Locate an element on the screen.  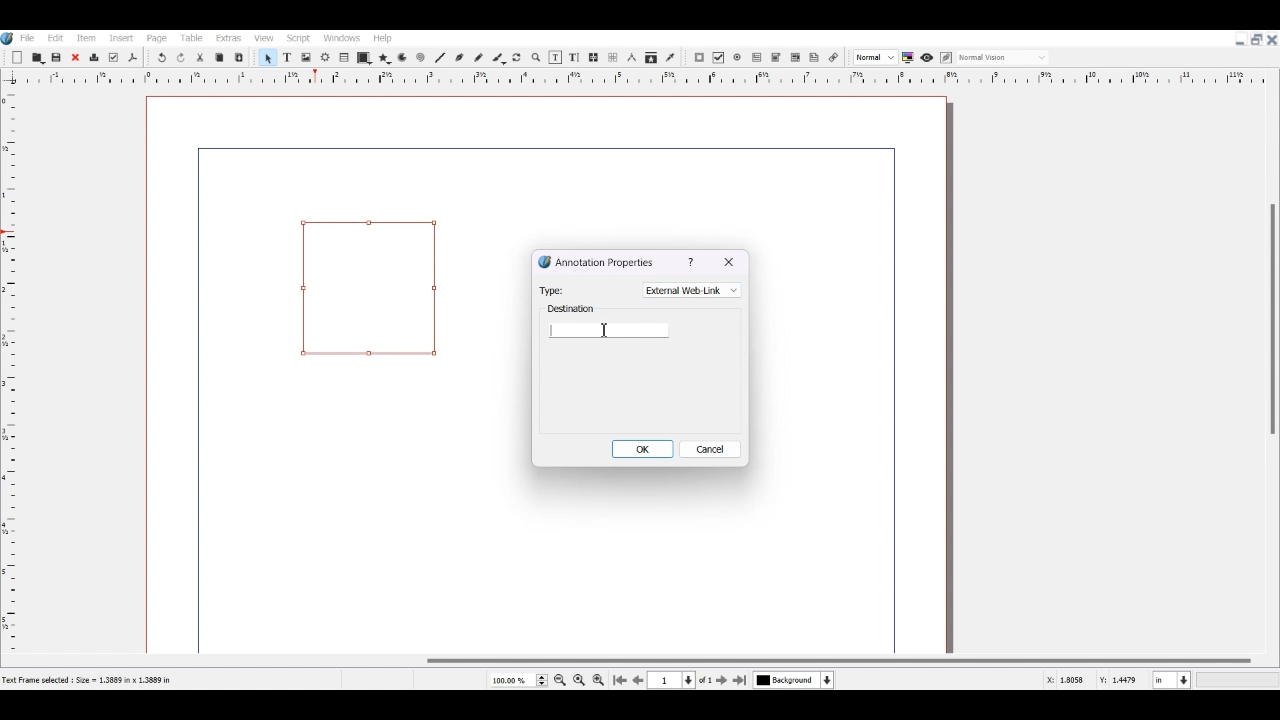
Horizontal Scroll bar is located at coordinates (640, 661).